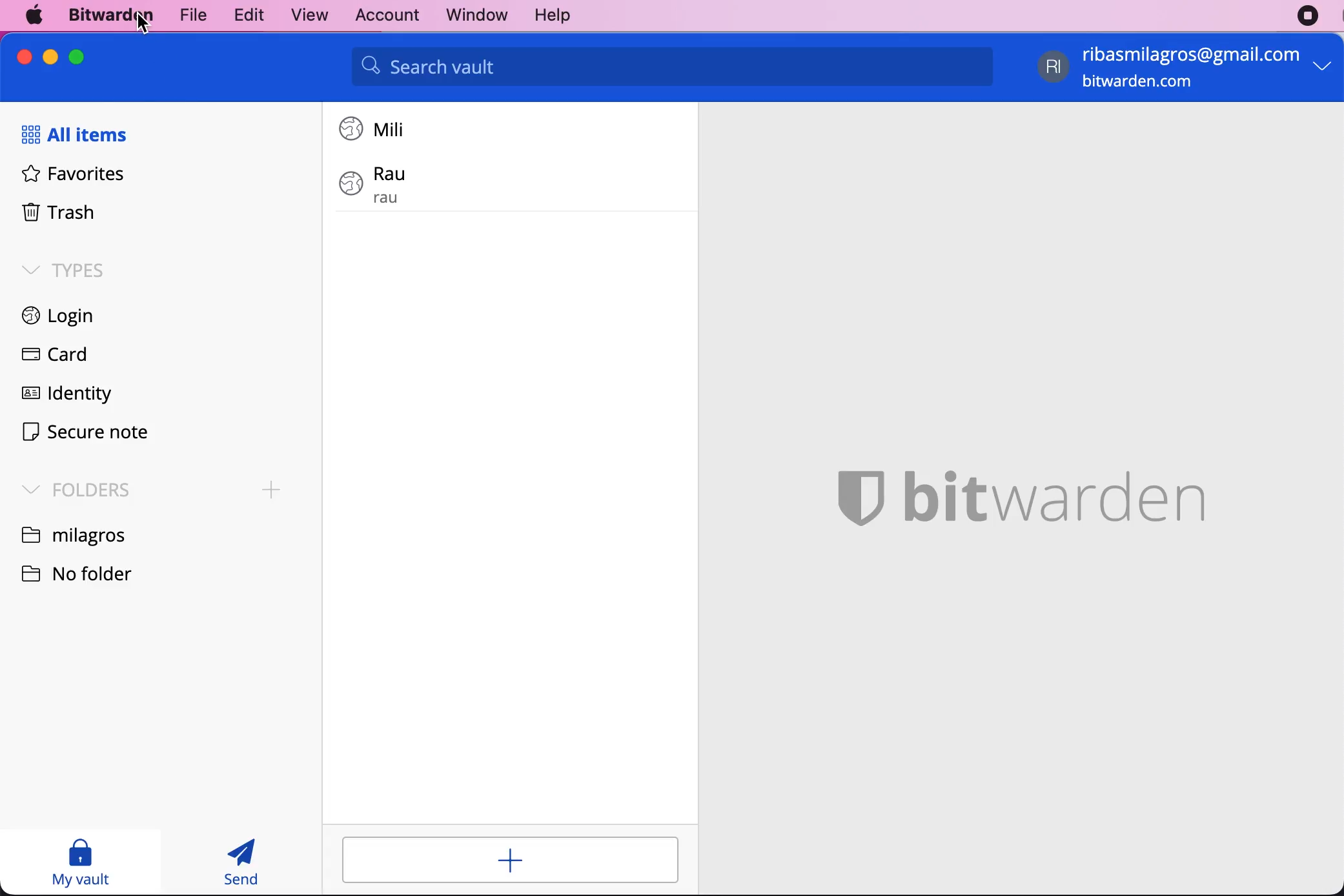 This screenshot has height=896, width=1344. I want to click on mac logo, so click(36, 15).